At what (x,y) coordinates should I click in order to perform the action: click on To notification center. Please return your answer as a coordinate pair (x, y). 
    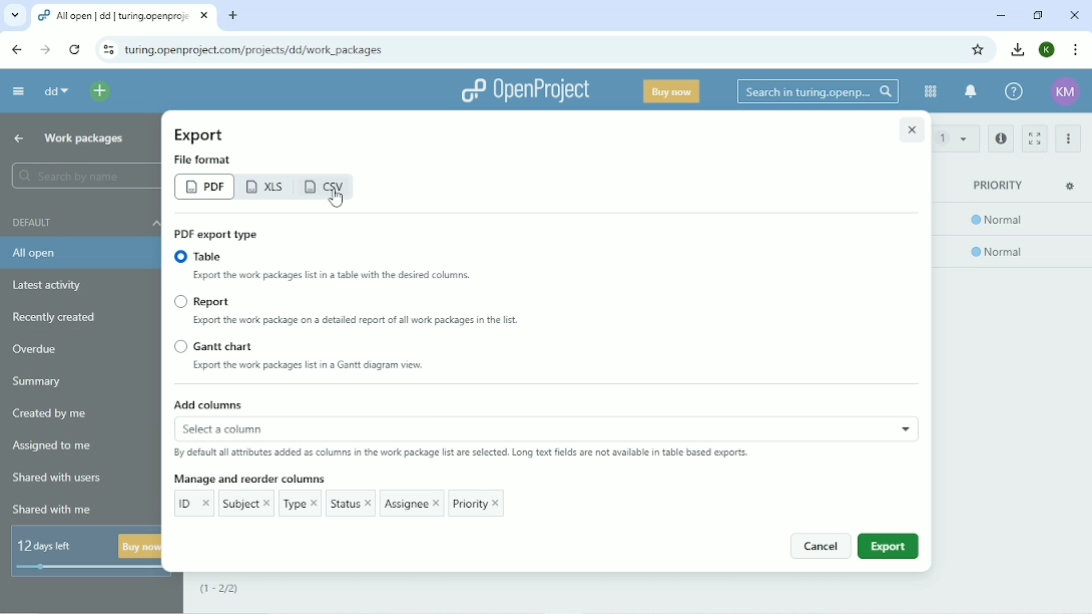
    Looking at the image, I should click on (970, 92).